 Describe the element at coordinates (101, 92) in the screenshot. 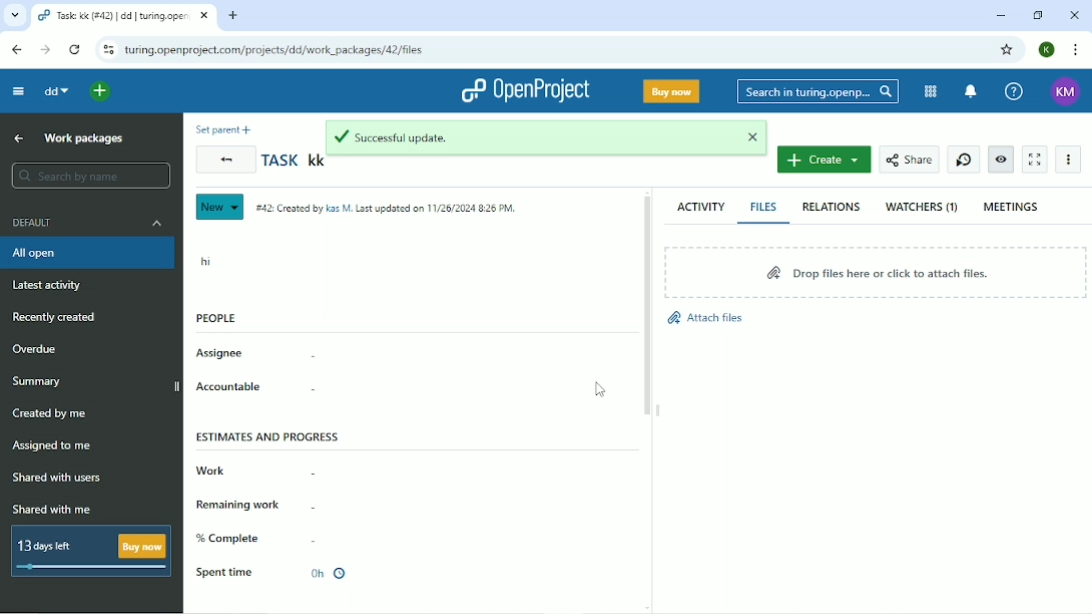

I see `Open quick add menu` at that location.